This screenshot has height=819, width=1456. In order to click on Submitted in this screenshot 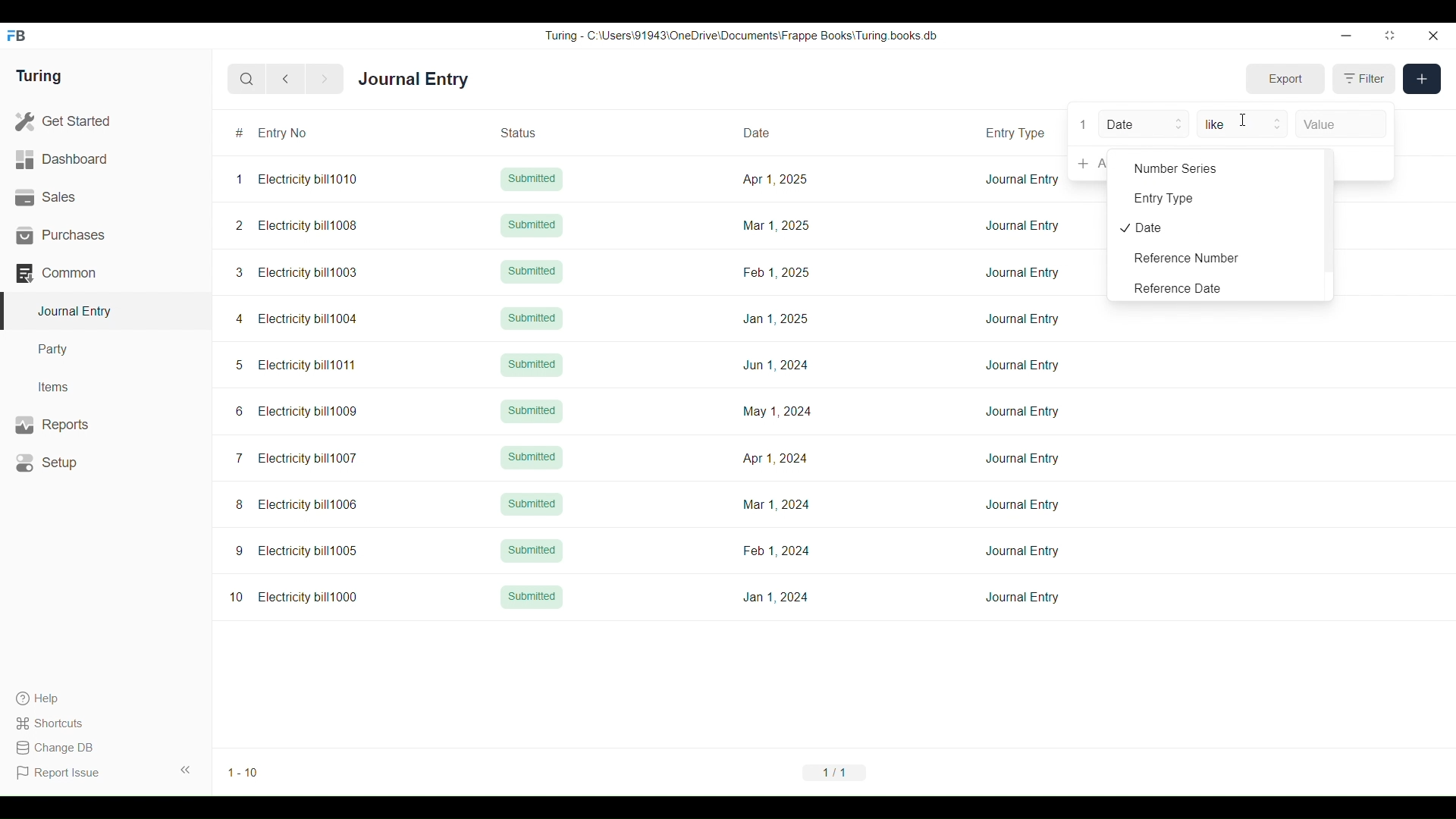, I will do `click(531, 318)`.